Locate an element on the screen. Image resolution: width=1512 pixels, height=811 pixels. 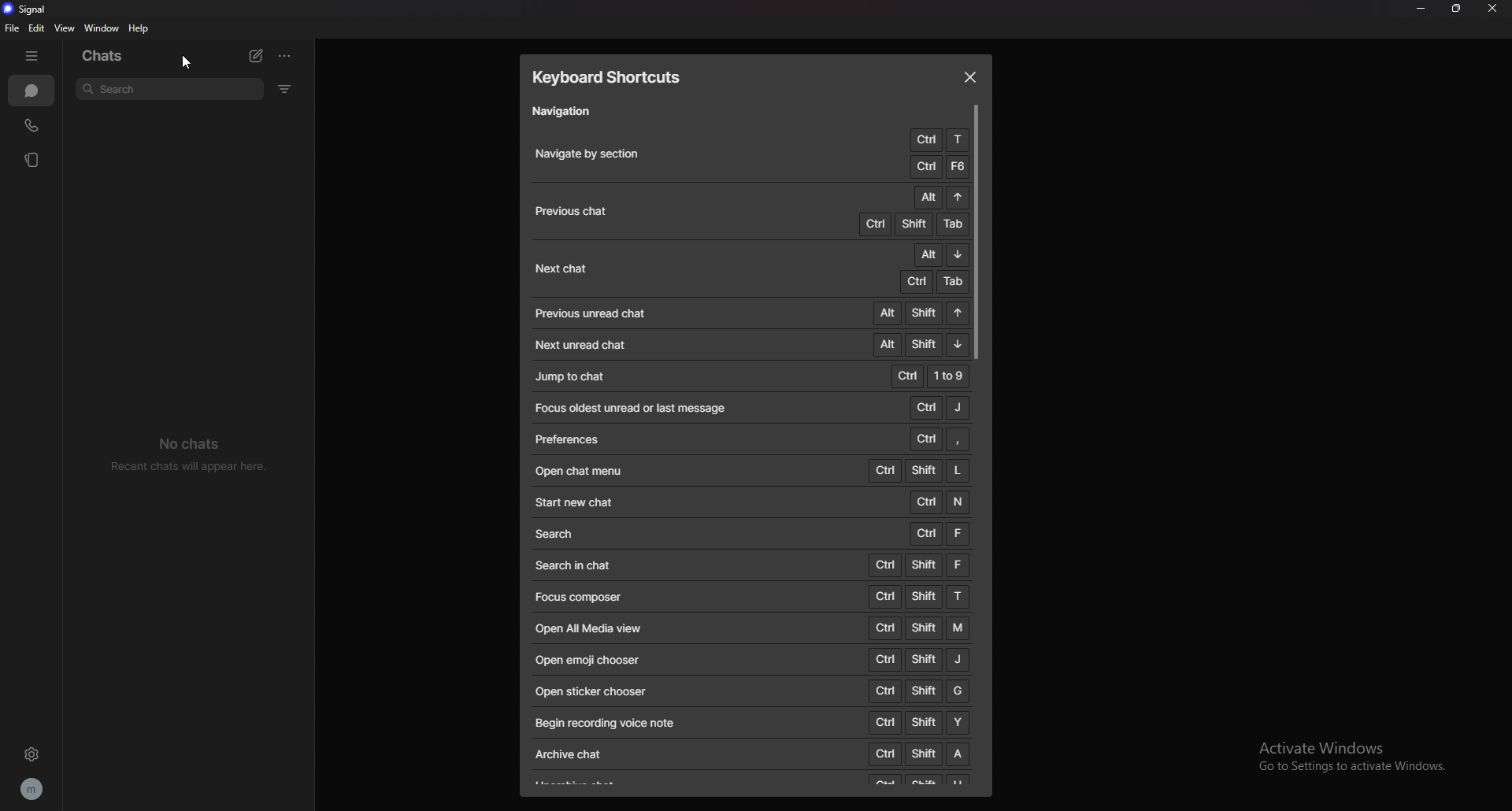
edit is located at coordinates (36, 28).